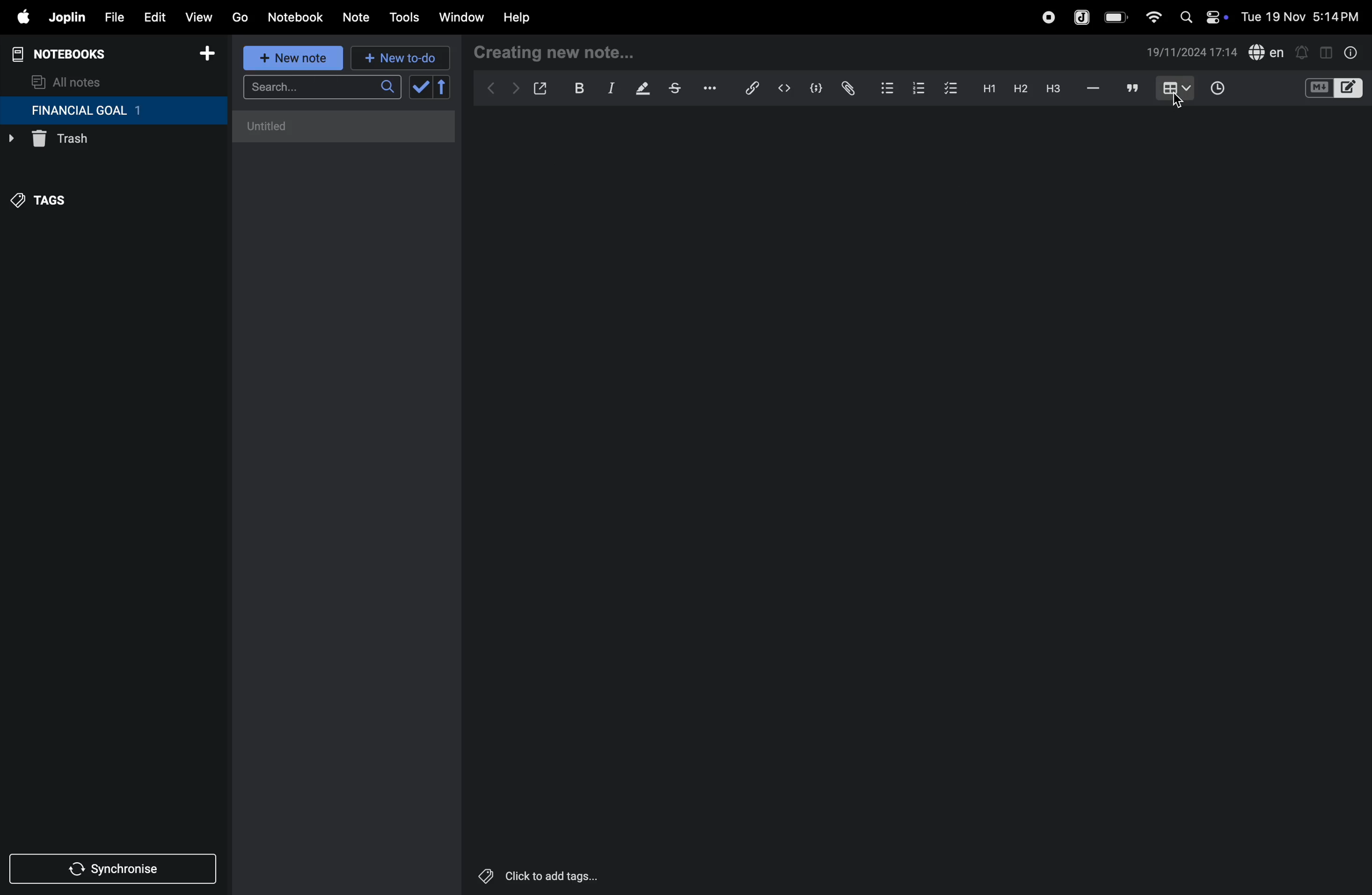 This screenshot has height=895, width=1372. Describe the element at coordinates (1047, 17) in the screenshot. I see `record` at that location.